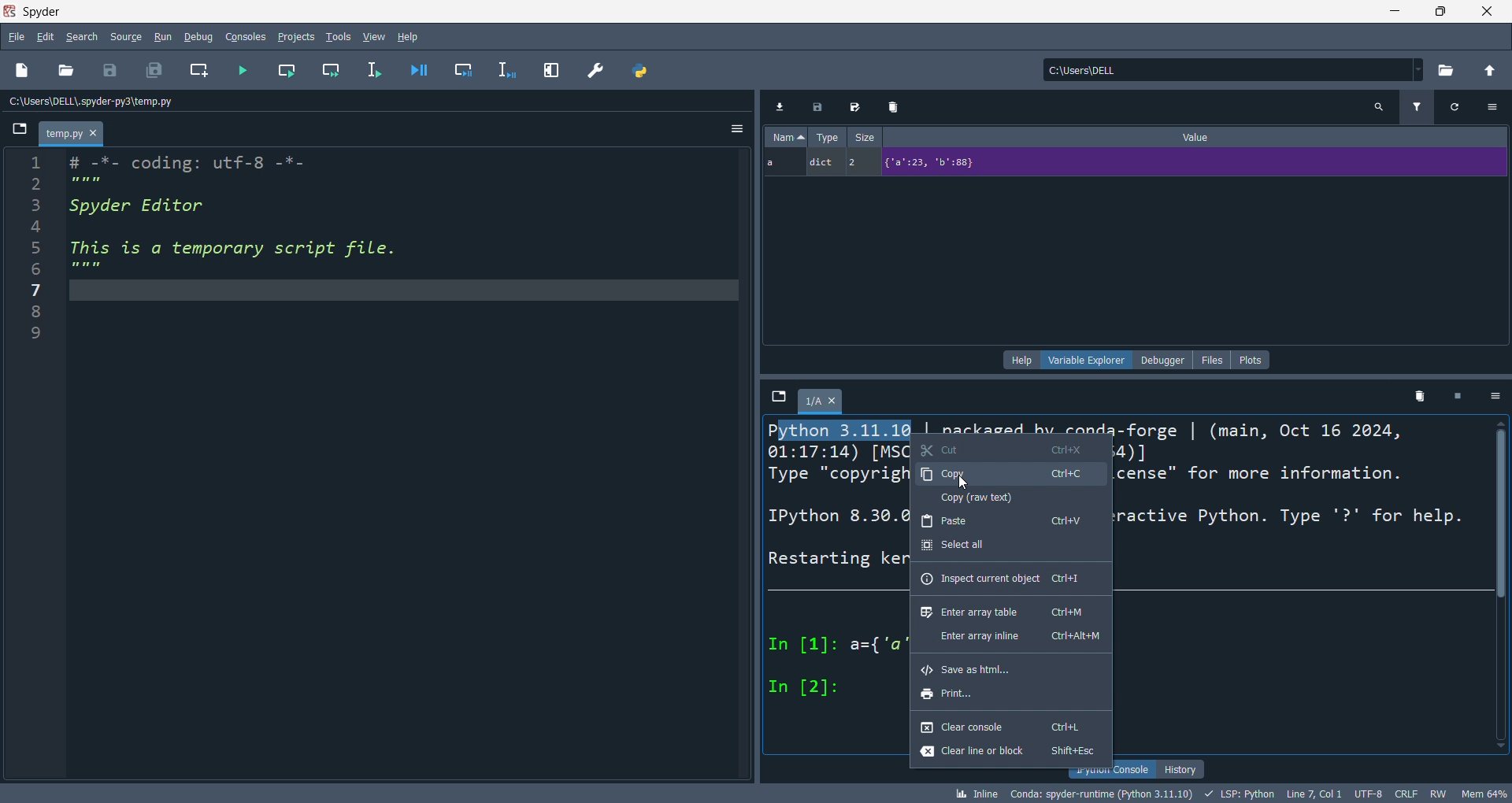 Image resolution: width=1512 pixels, height=803 pixels. What do you see at coordinates (424, 68) in the screenshot?
I see `debug file` at bounding box center [424, 68].